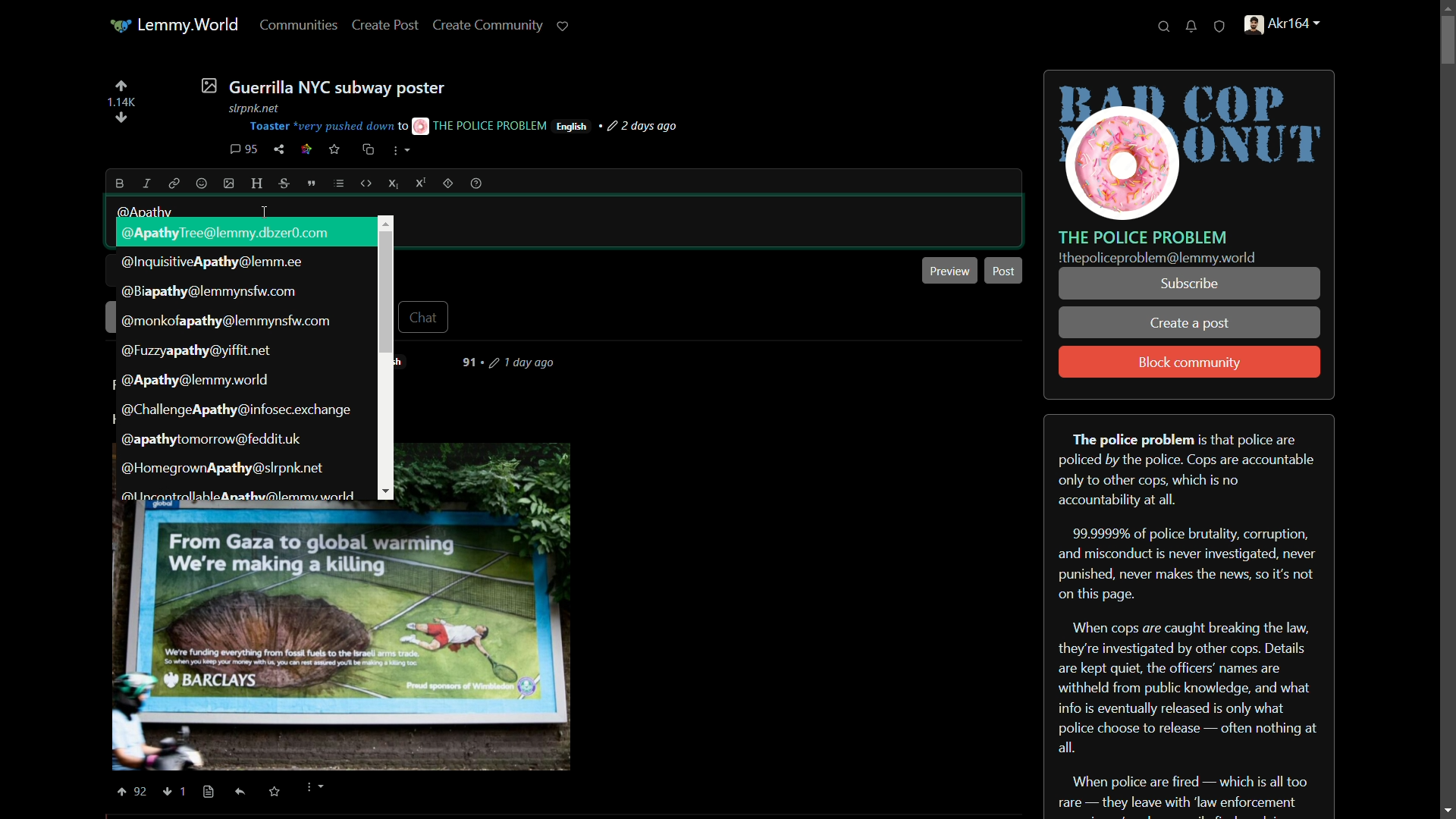 This screenshot has width=1456, height=819. Describe the element at coordinates (386, 26) in the screenshot. I see `create post ` at that location.